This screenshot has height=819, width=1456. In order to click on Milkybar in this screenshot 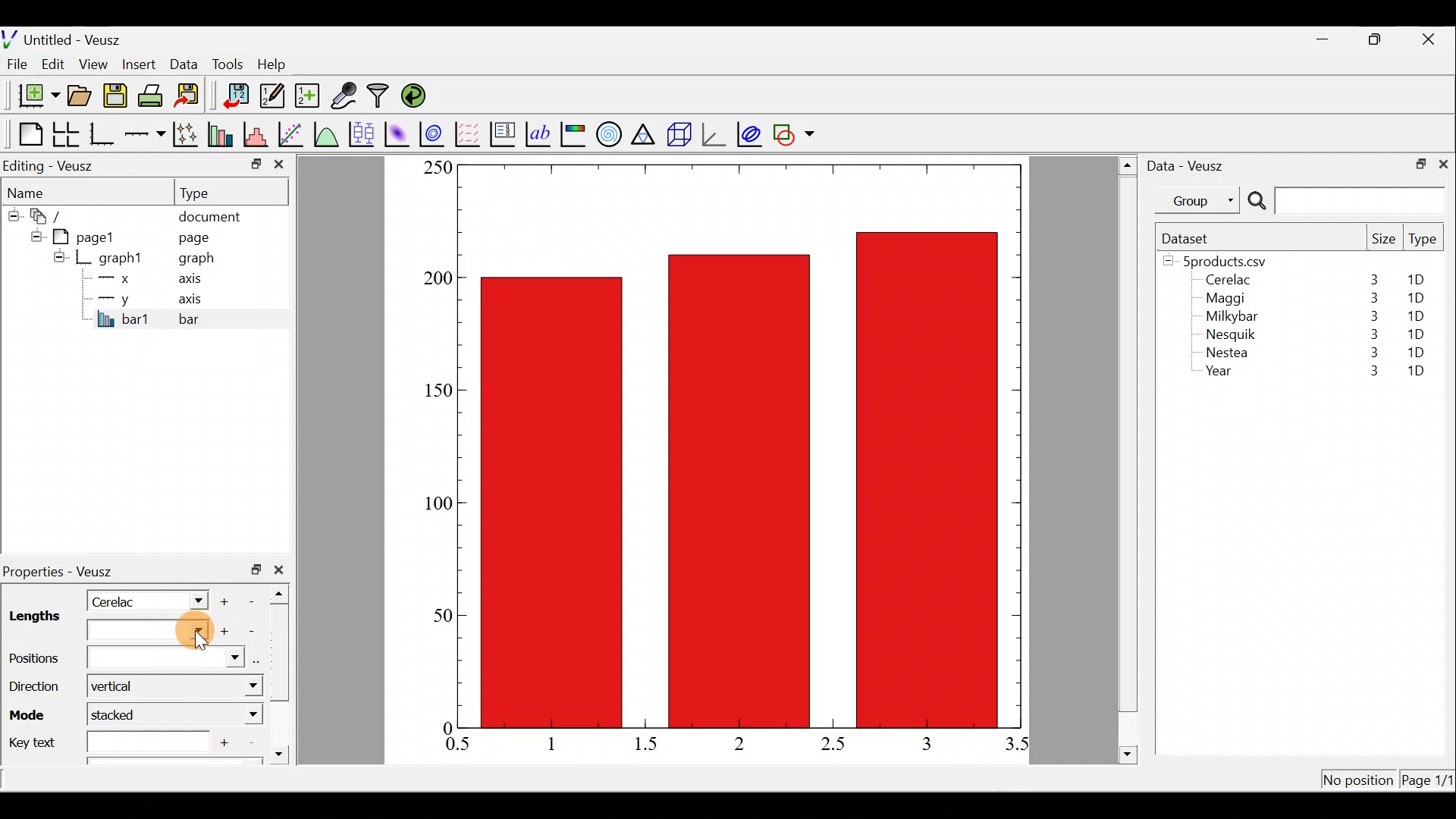, I will do `click(1228, 318)`.